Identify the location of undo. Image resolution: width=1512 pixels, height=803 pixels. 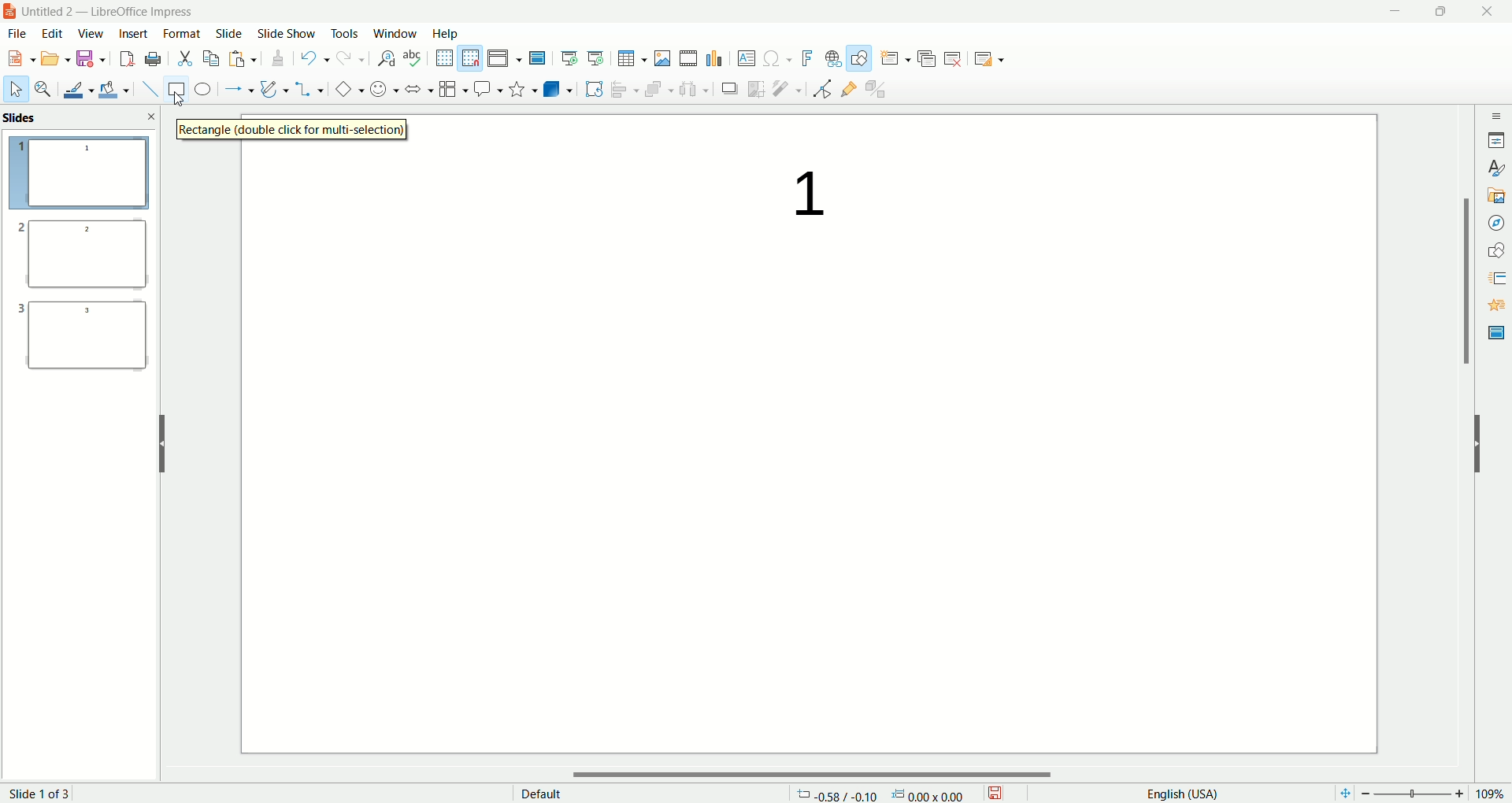
(313, 60).